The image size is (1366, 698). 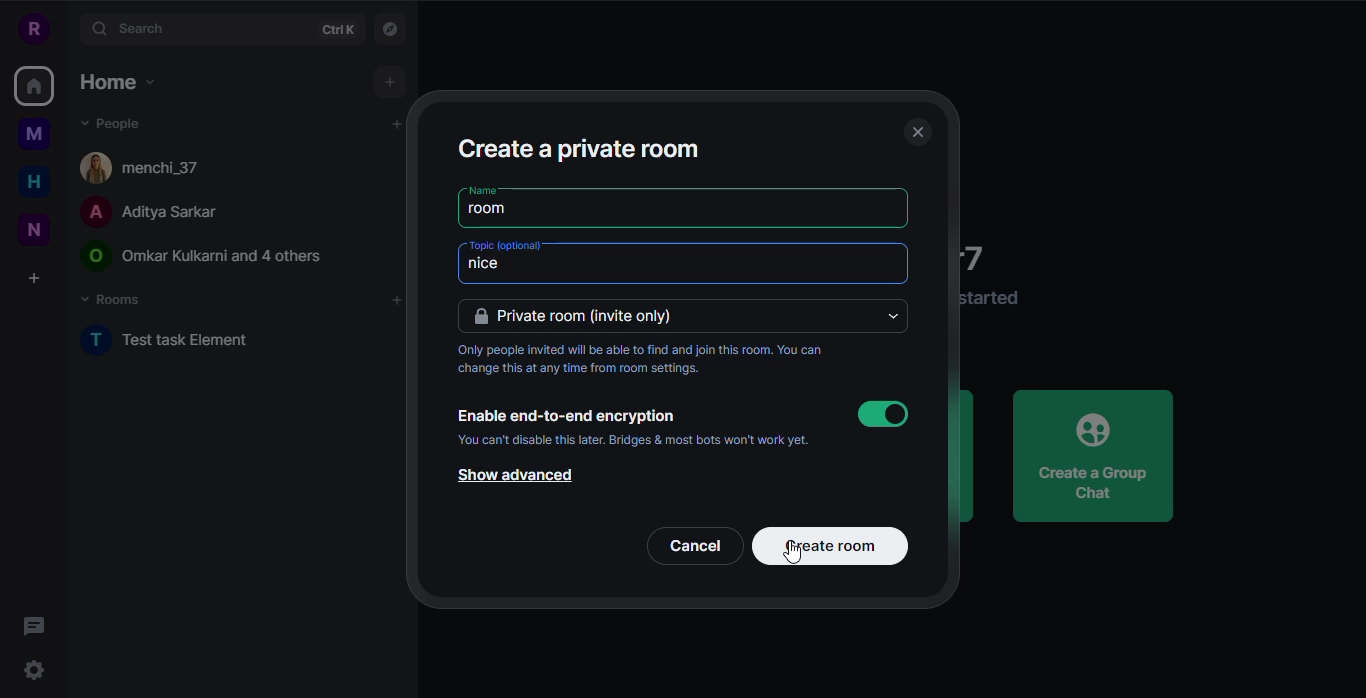 What do you see at coordinates (132, 28) in the screenshot?
I see `search` at bounding box center [132, 28].